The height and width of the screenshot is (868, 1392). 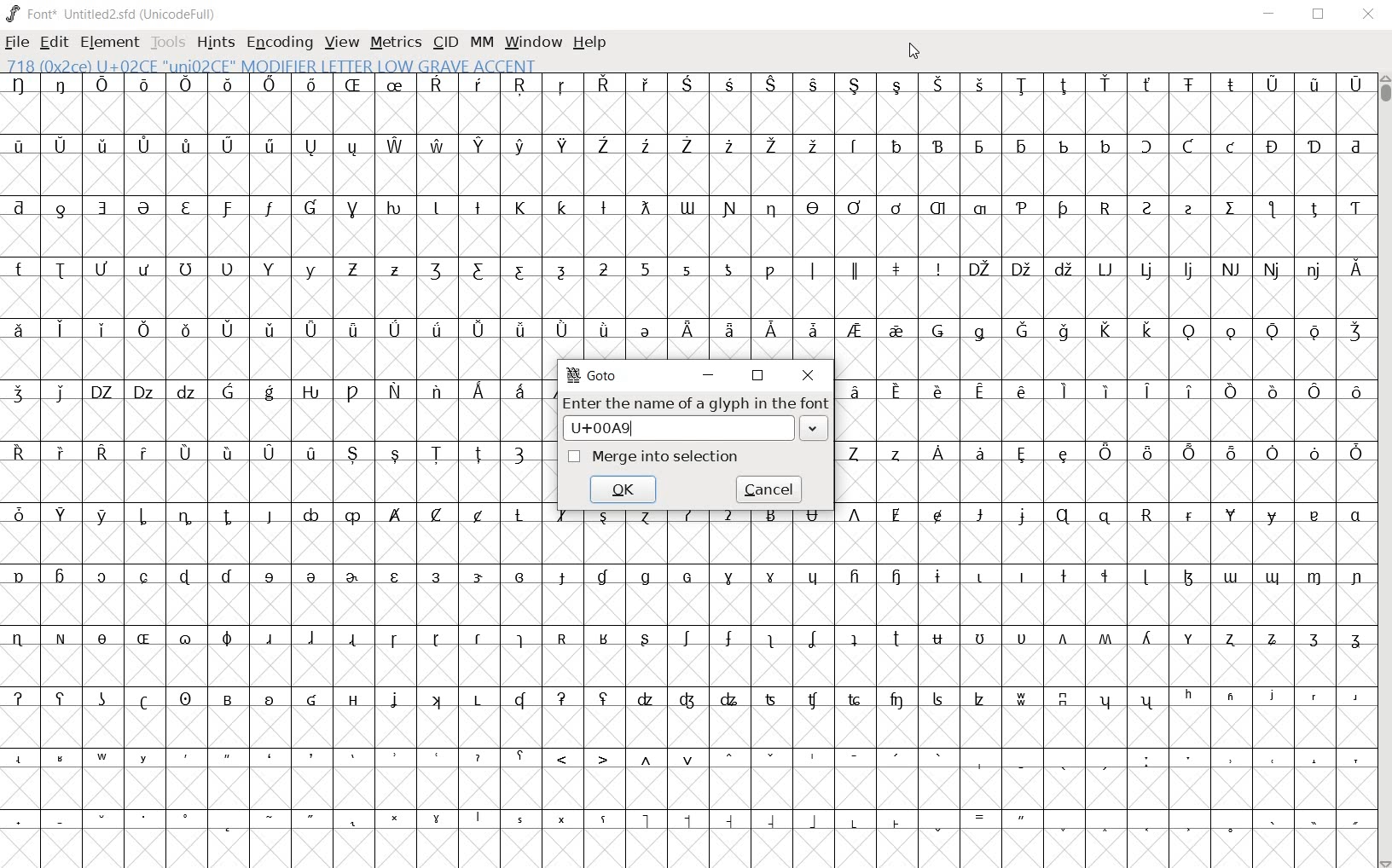 What do you see at coordinates (1383, 472) in the screenshot?
I see `scrollbar` at bounding box center [1383, 472].